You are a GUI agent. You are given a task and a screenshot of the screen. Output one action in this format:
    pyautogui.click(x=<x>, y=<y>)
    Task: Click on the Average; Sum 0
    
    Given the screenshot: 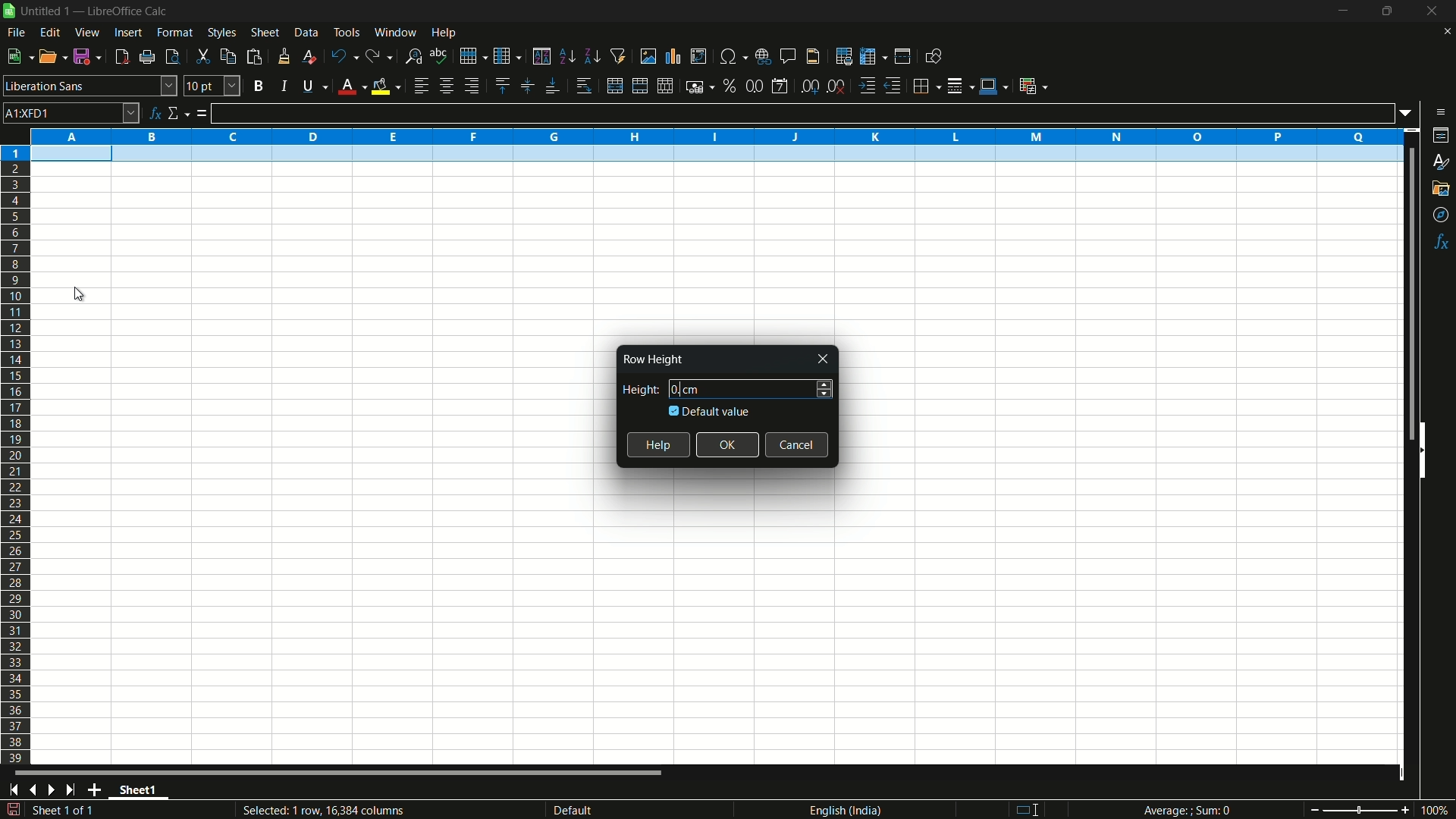 What is the action you would take?
    pyautogui.click(x=1188, y=811)
    